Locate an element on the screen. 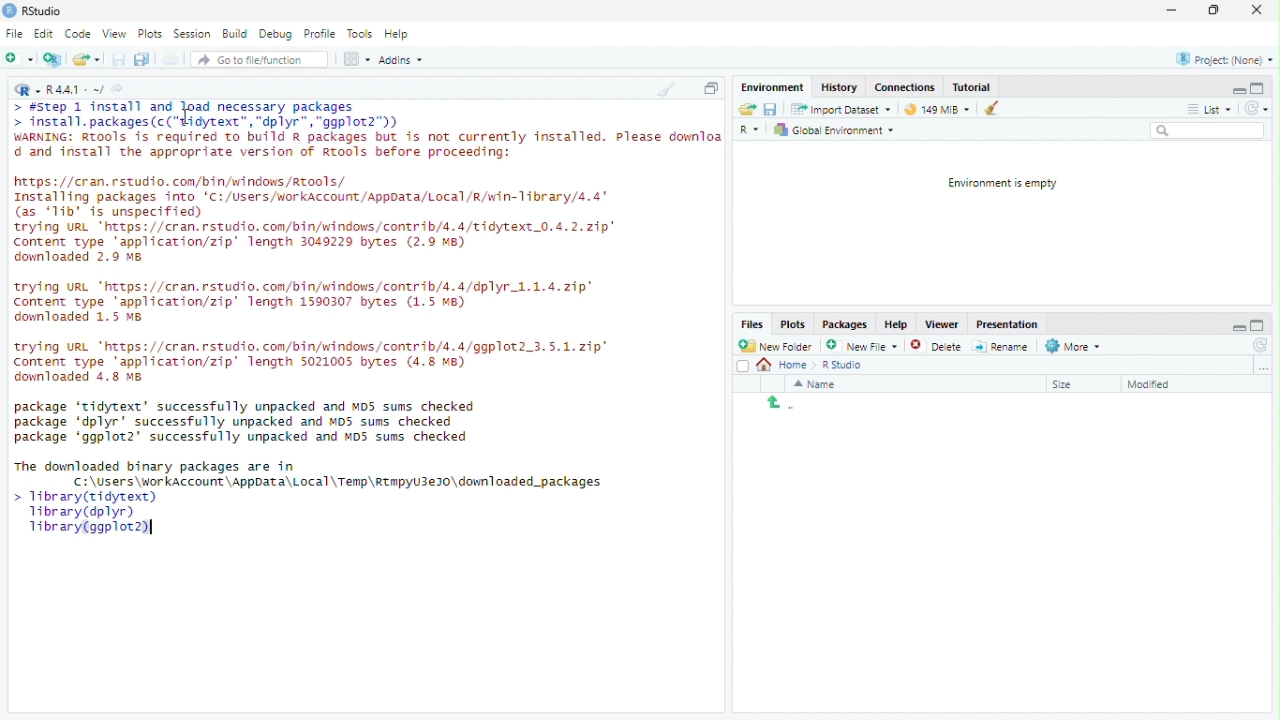 This screenshot has height=720, width=1280. trying URL “https://cran.rstudio.com/bin/windows/contrib/4.4/dplyr_1.1.4.zip"
Content type 'application/zip’ length 1590307 bytes (1.5 MB)
downloaded 1.5 MB is located at coordinates (310, 303).